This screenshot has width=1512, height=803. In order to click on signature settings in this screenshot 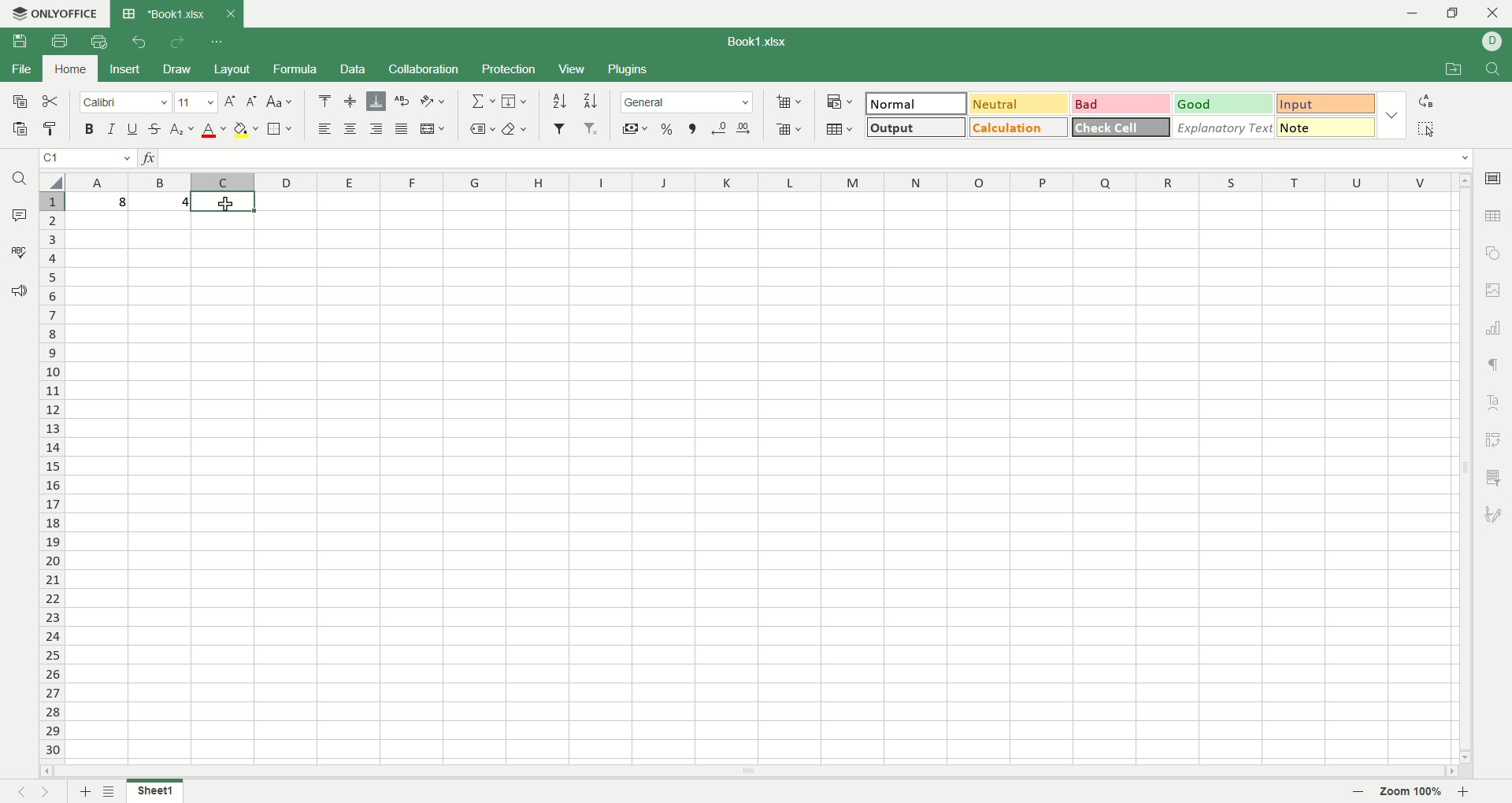, I will do `click(1494, 513)`.